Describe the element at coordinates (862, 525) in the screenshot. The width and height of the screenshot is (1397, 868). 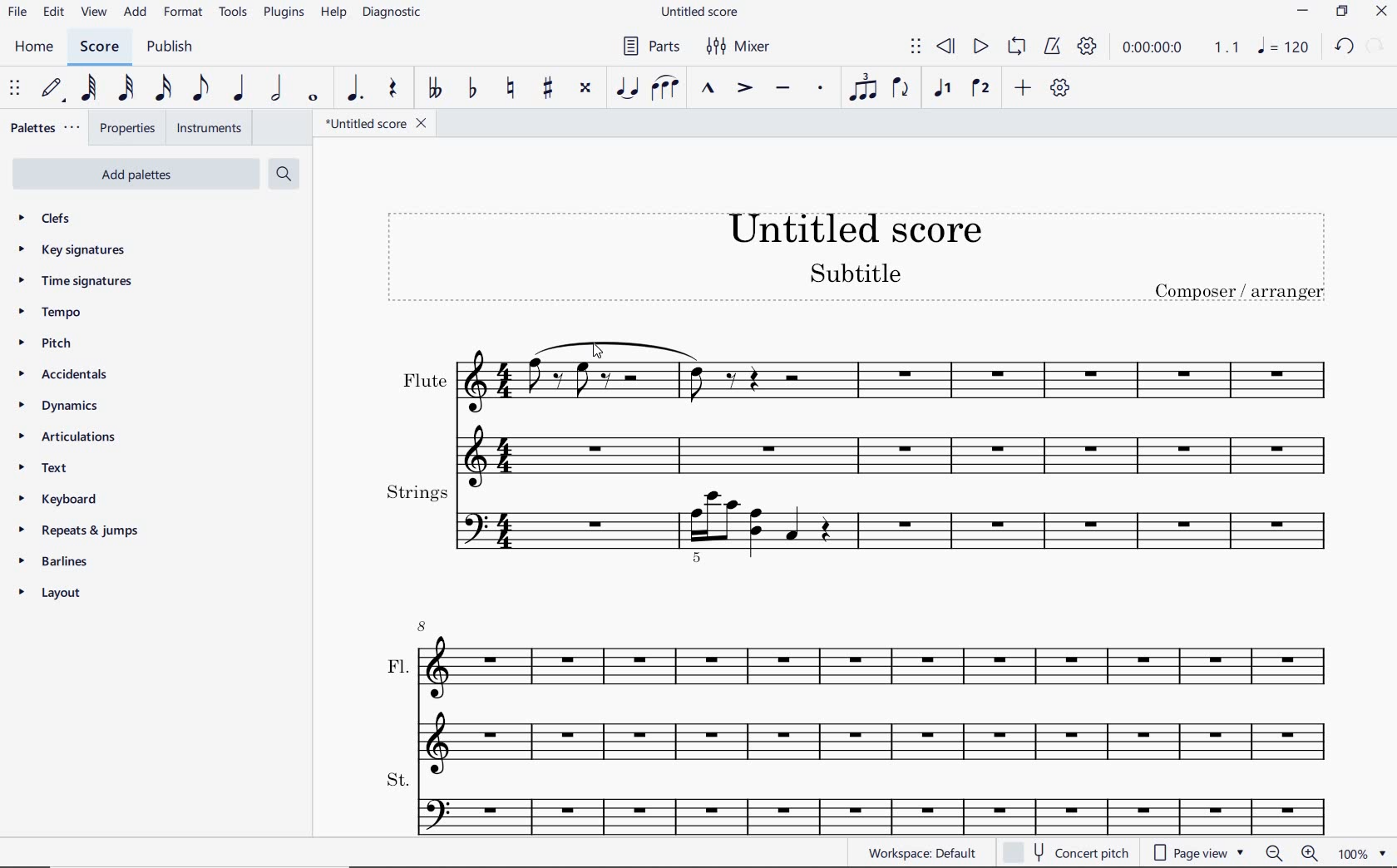
I see `Strings` at that location.